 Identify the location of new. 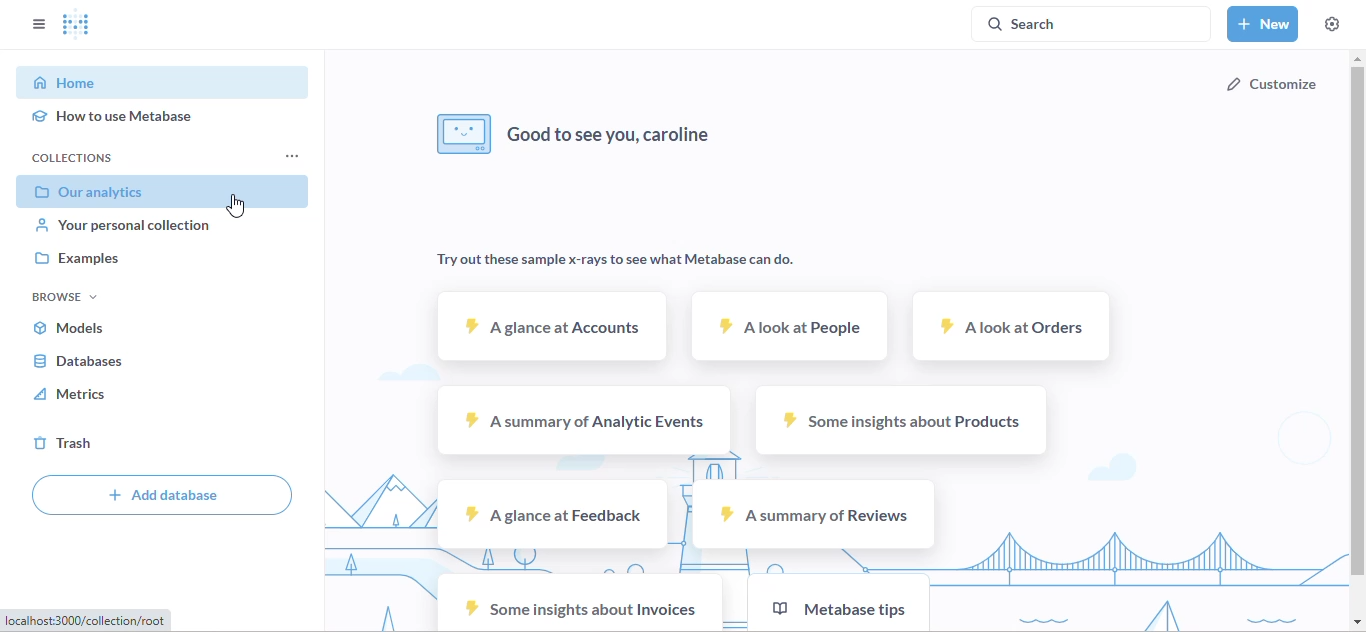
(1263, 23).